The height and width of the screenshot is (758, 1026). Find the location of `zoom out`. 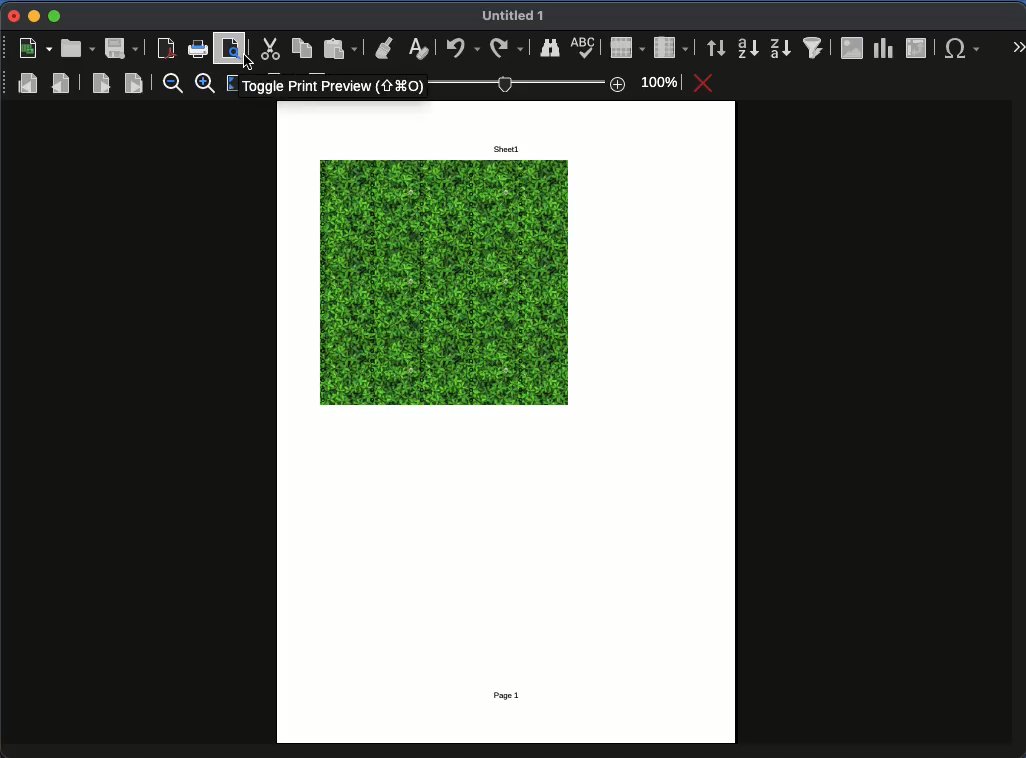

zoom out is located at coordinates (172, 85).